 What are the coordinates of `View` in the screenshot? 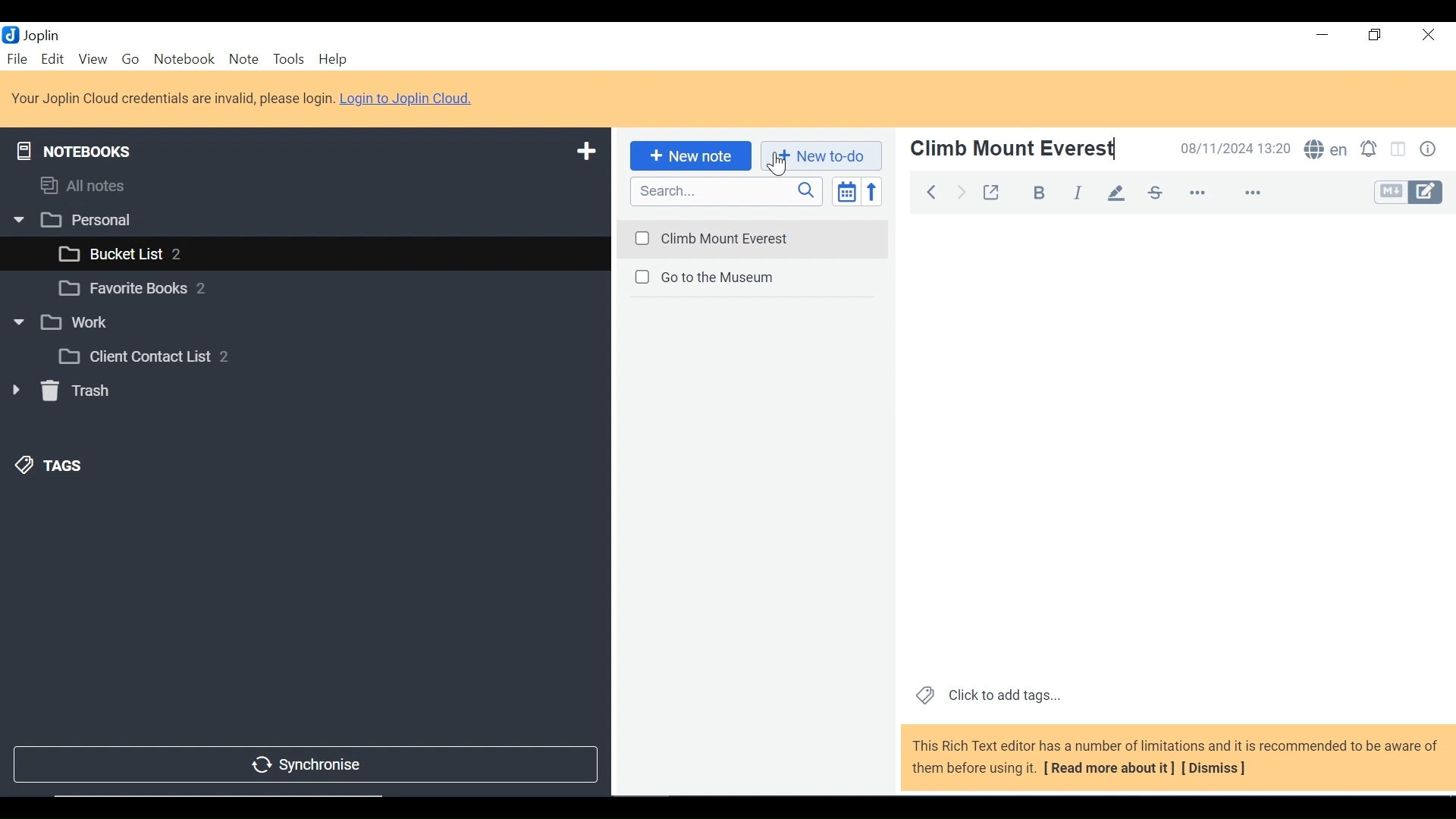 It's located at (93, 60).